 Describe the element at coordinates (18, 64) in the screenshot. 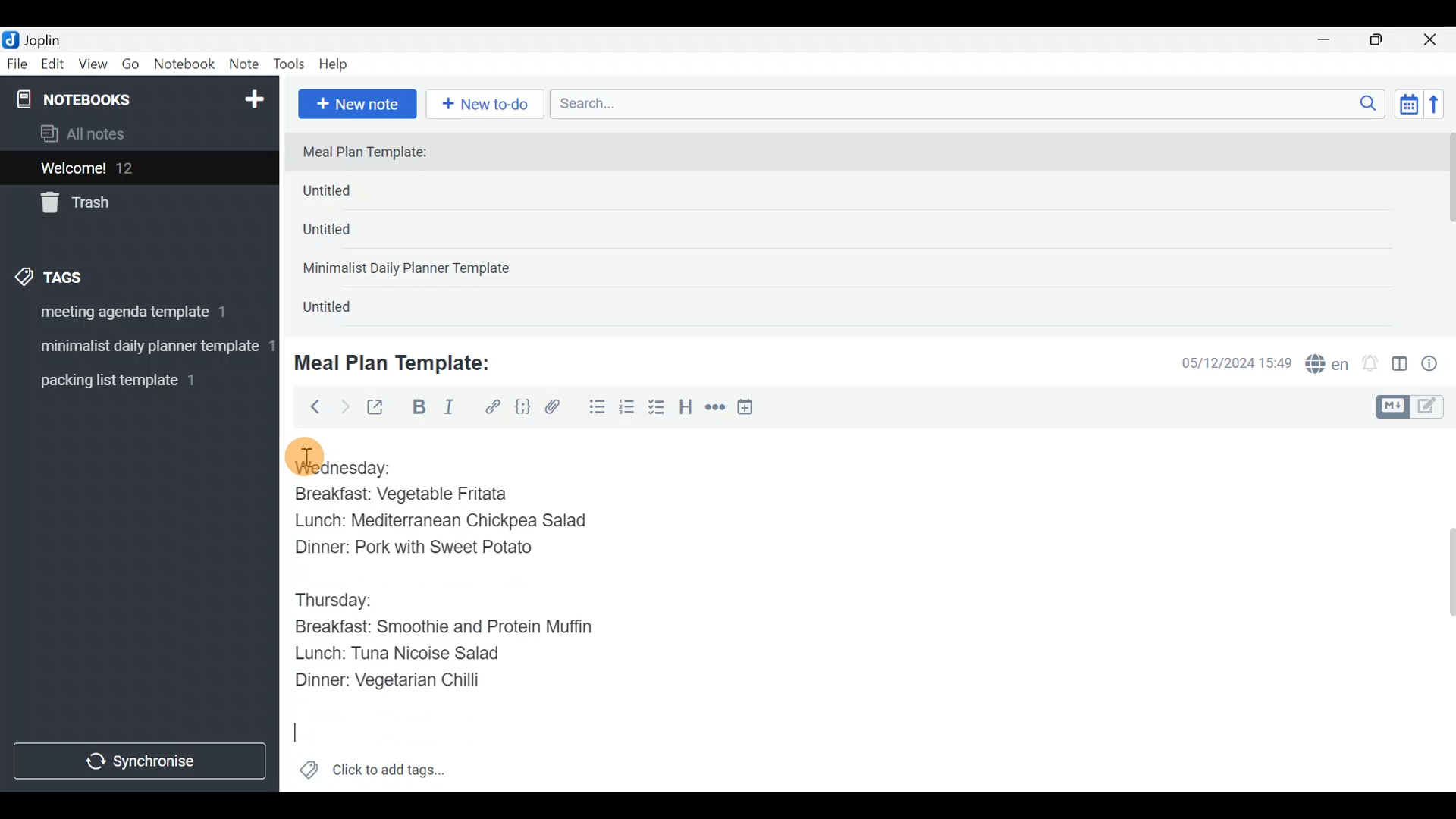

I see `File` at that location.